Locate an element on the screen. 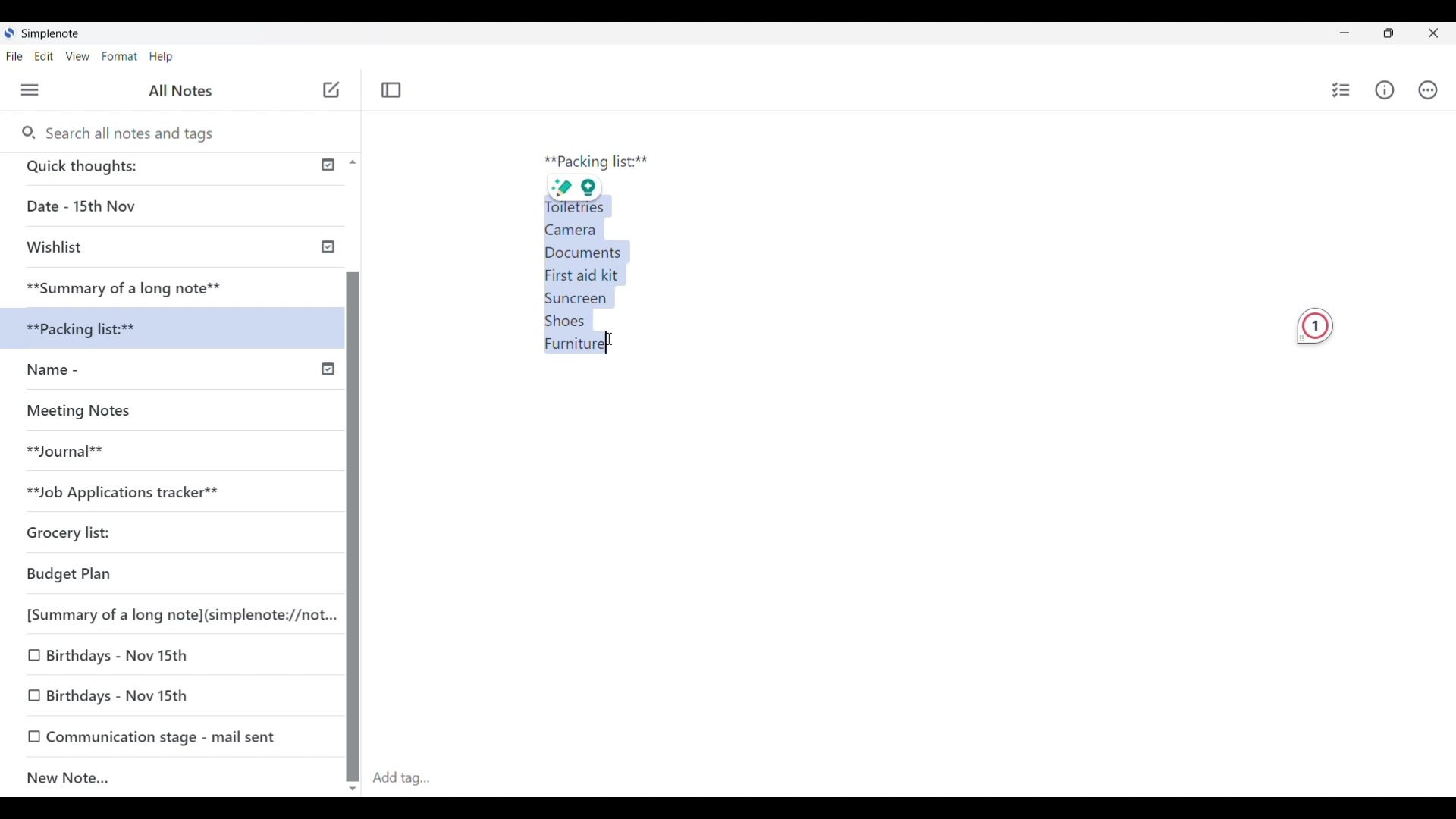 Image resolution: width=1456 pixels, height=819 pixels. Show interface in a smaller tab is located at coordinates (1389, 33).